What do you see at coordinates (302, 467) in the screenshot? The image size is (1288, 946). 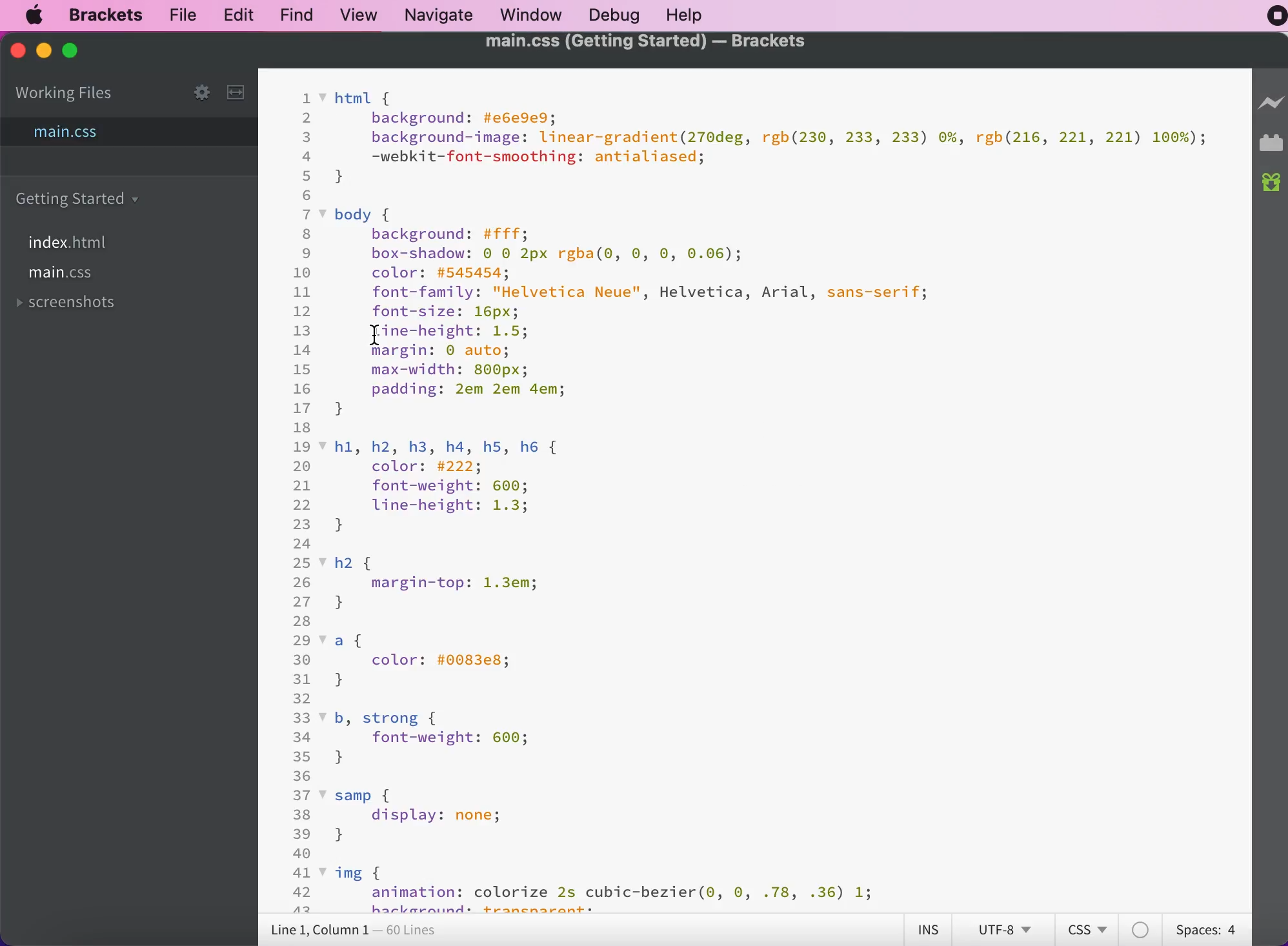 I see `20` at bounding box center [302, 467].